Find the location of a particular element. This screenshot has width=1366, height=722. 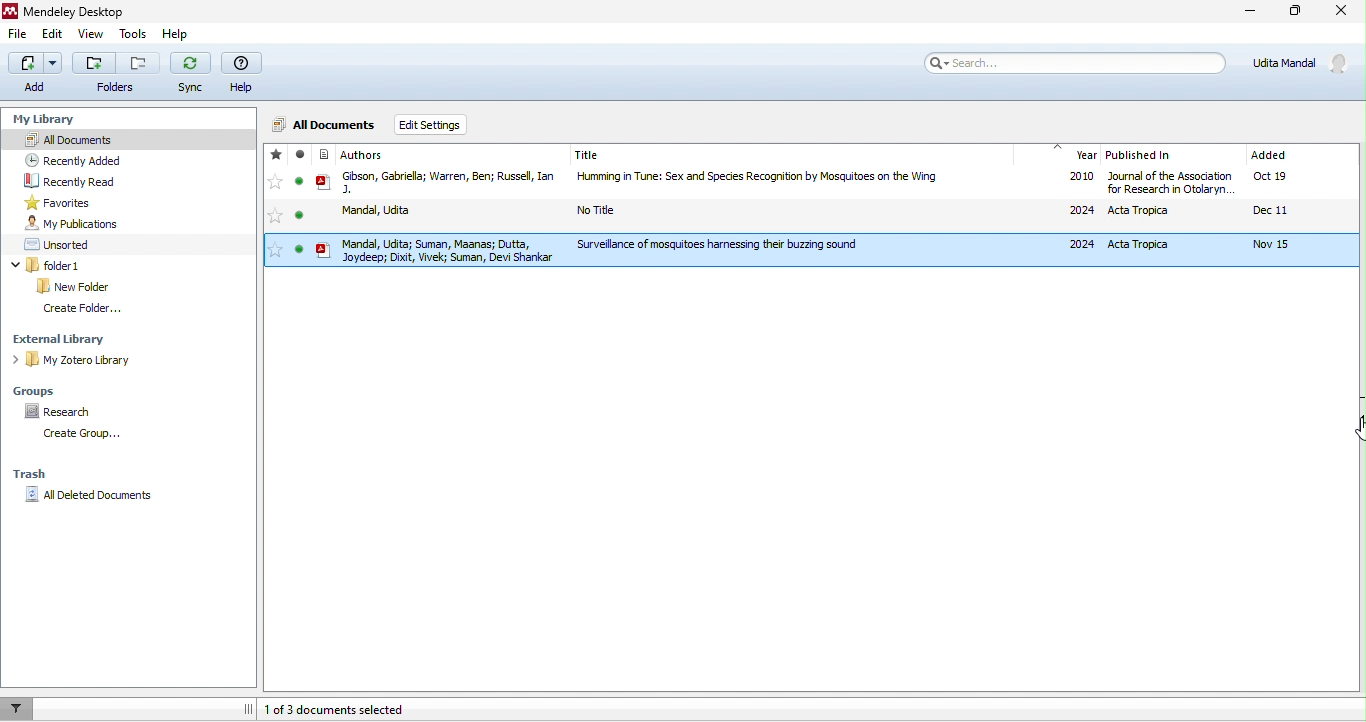

favourites is located at coordinates (274, 206).